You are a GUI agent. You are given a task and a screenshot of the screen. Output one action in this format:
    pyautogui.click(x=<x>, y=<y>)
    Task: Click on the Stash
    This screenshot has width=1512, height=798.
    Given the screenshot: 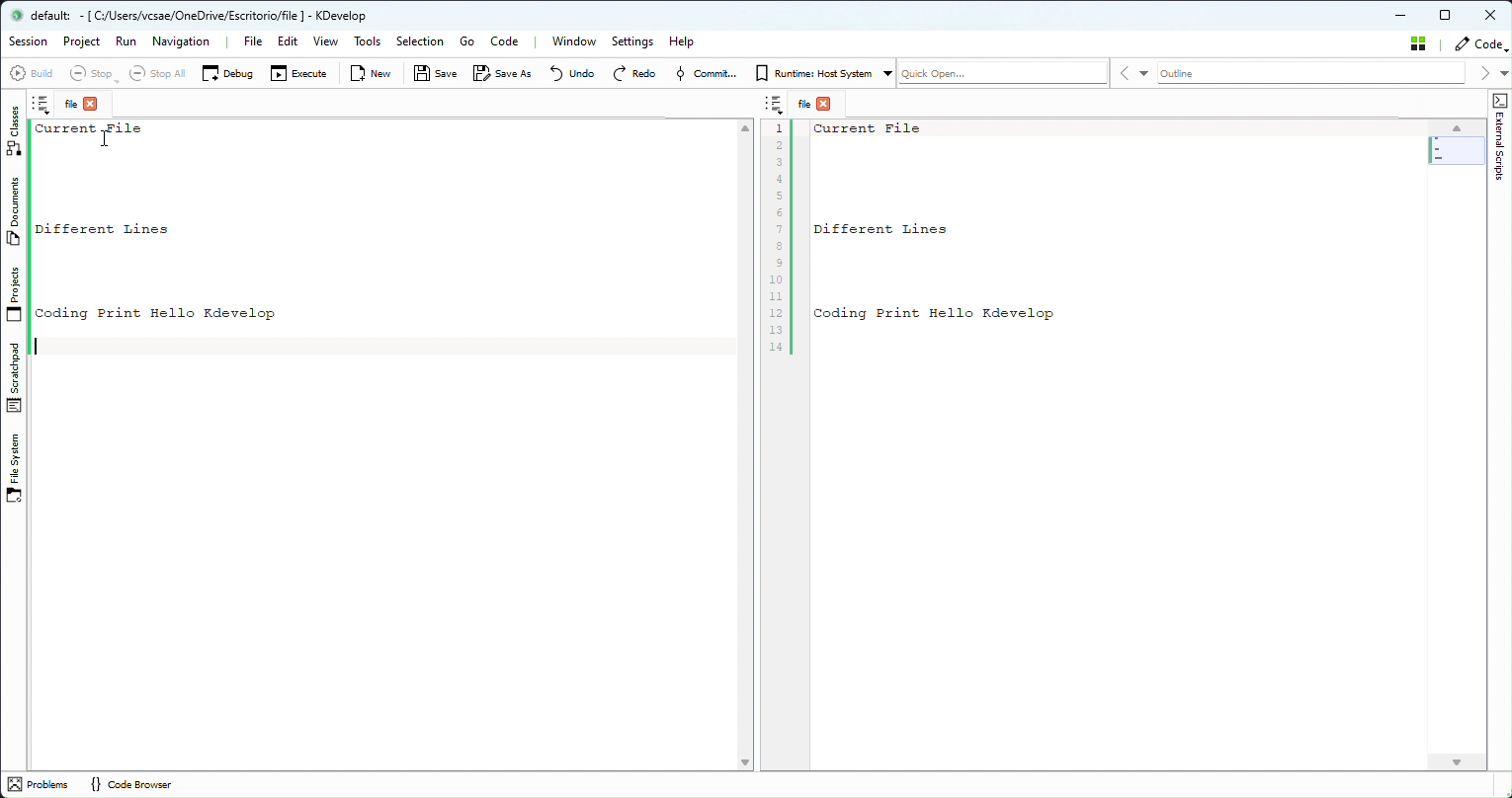 What is the action you would take?
    pyautogui.click(x=1417, y=43)
    